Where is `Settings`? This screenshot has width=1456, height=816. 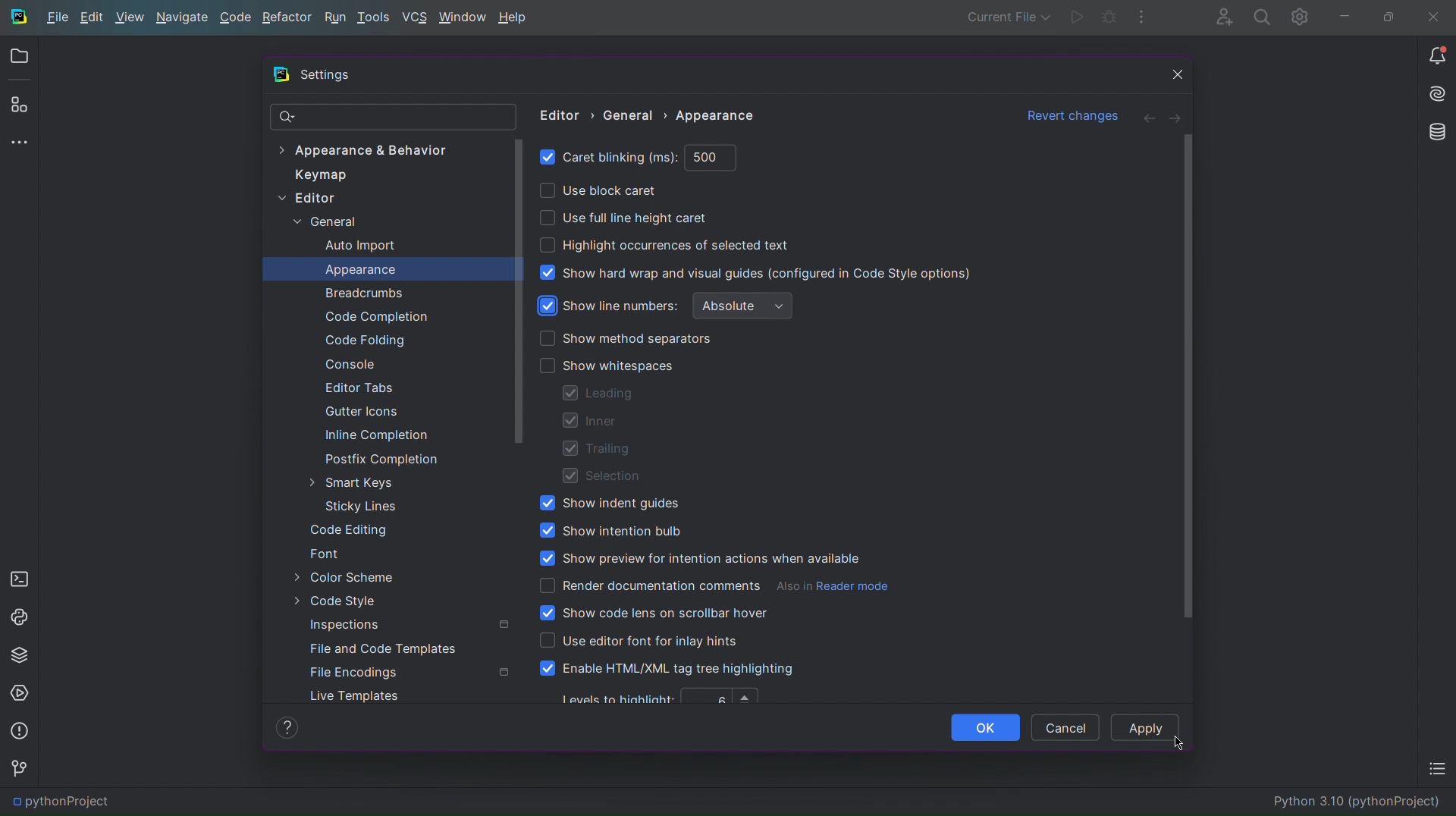
Settings is located at coordinates (331, 77).